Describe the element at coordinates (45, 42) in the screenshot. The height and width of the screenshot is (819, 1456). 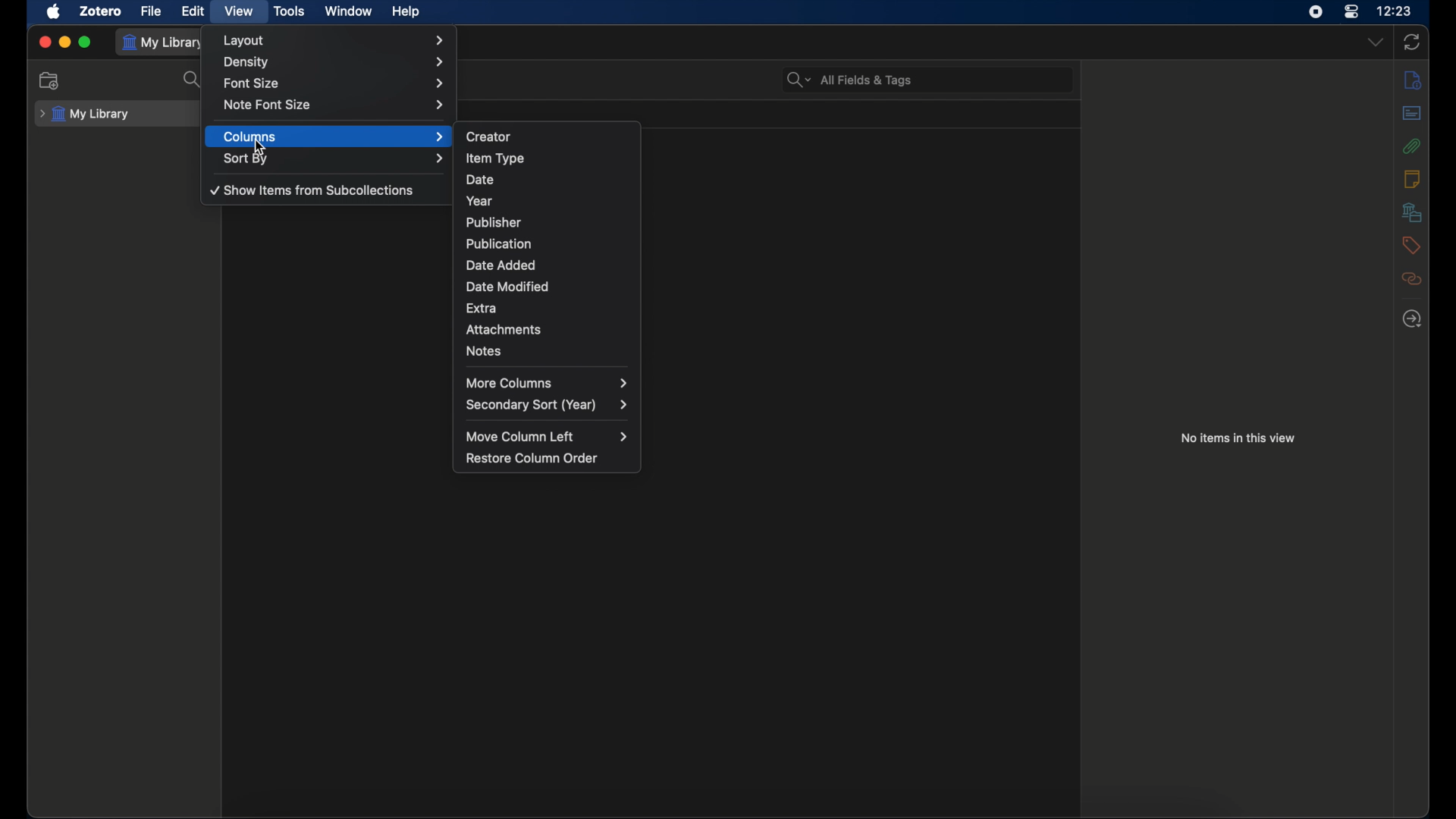
I see `close` at that location.